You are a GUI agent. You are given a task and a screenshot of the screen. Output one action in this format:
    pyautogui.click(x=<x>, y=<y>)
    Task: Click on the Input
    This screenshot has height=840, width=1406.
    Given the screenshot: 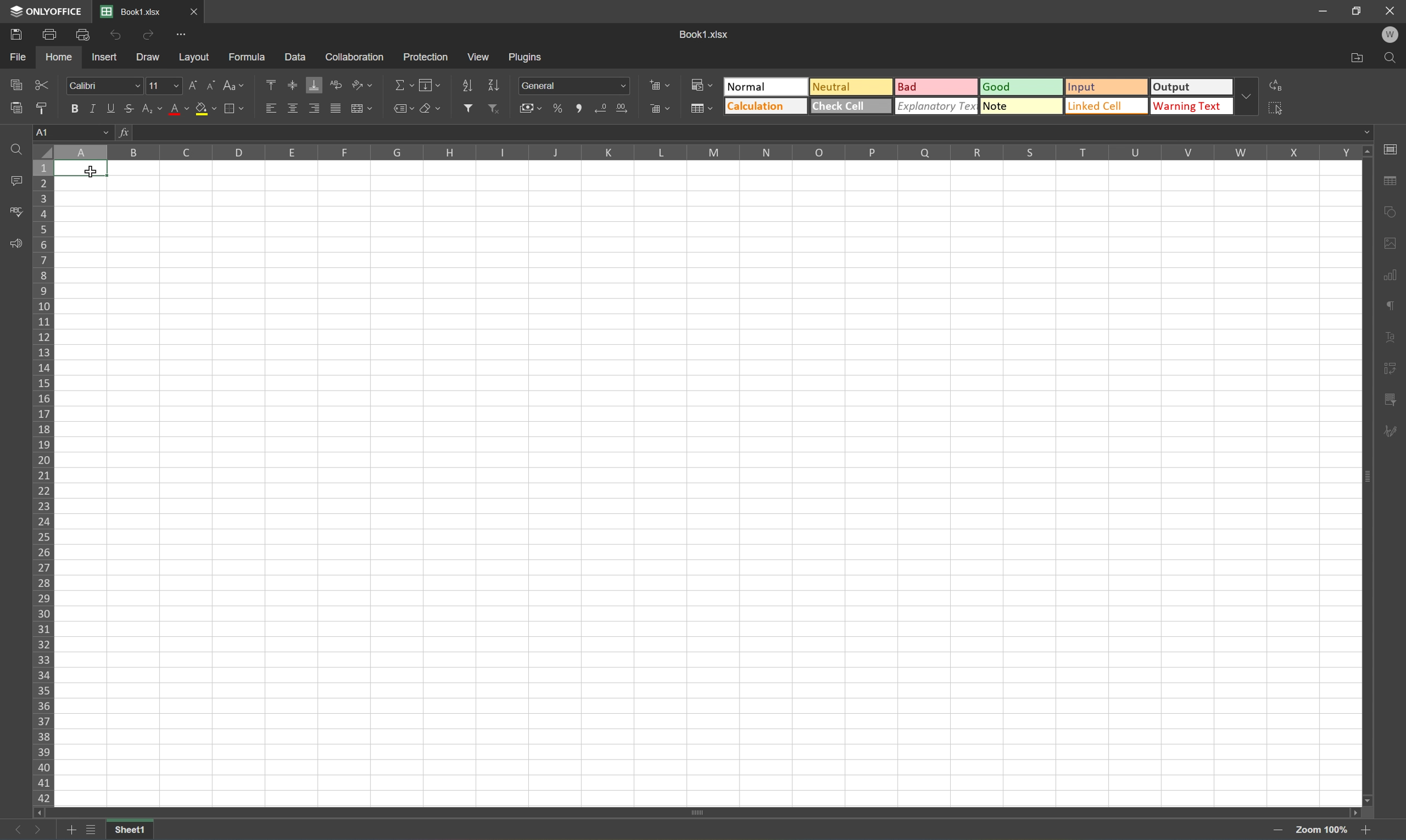 What is the action you would take?
    pyautogui.click(x=1106, y=88)
    